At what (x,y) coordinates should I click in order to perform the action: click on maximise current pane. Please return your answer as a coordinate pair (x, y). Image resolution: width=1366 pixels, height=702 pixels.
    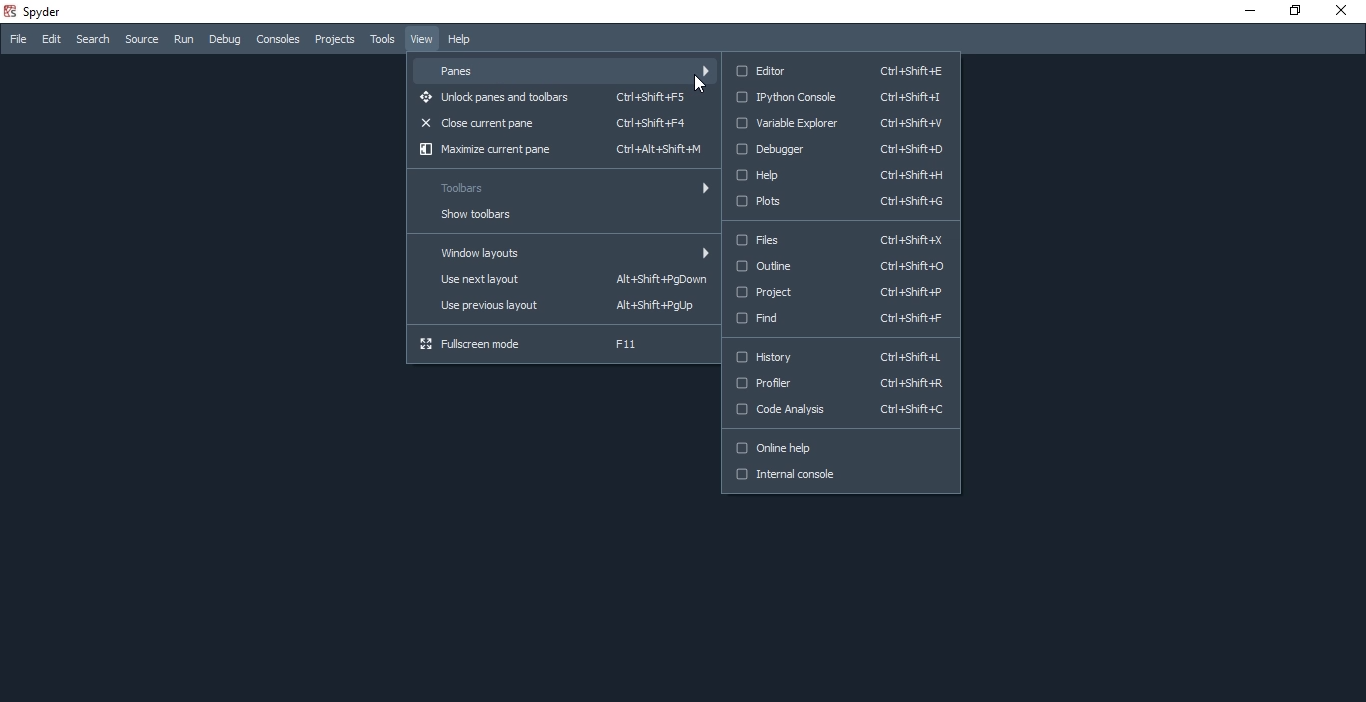
    Looking at the image, I should click on (559, 151).